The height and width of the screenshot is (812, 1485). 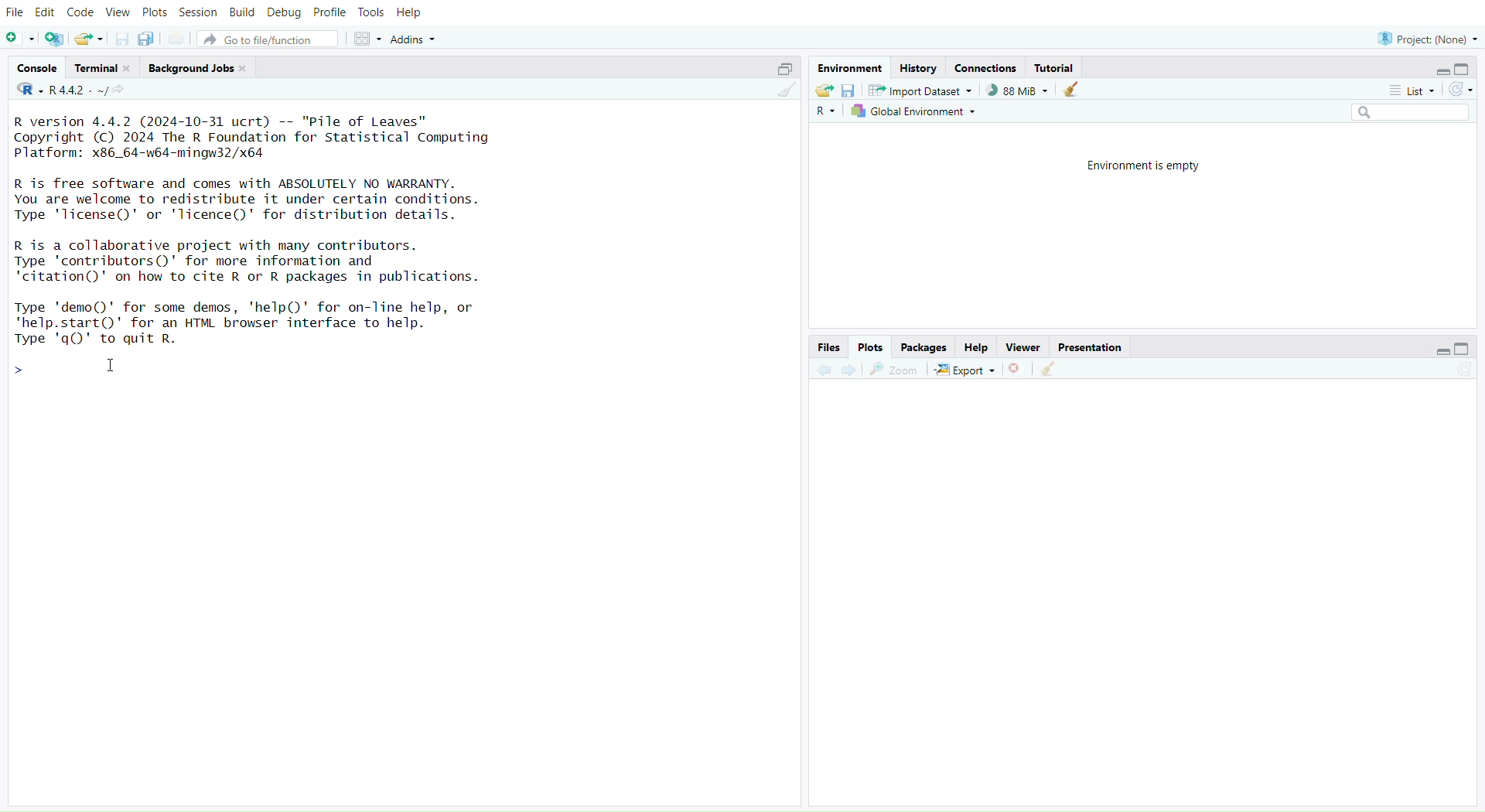 I want to click on plots, so click(x=873, y=346).